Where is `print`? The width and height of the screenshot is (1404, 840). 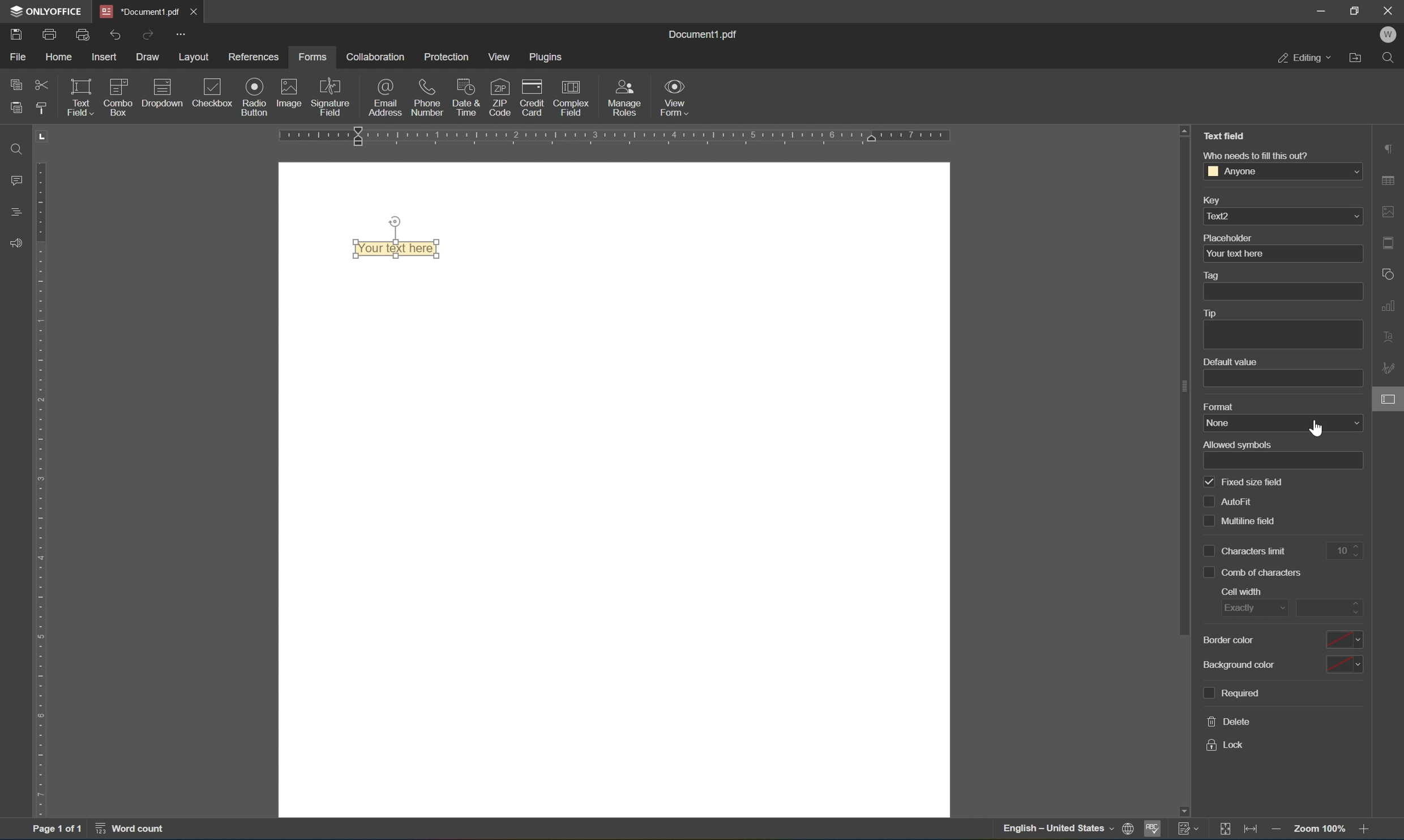
print is located at coordinates (48, 33).